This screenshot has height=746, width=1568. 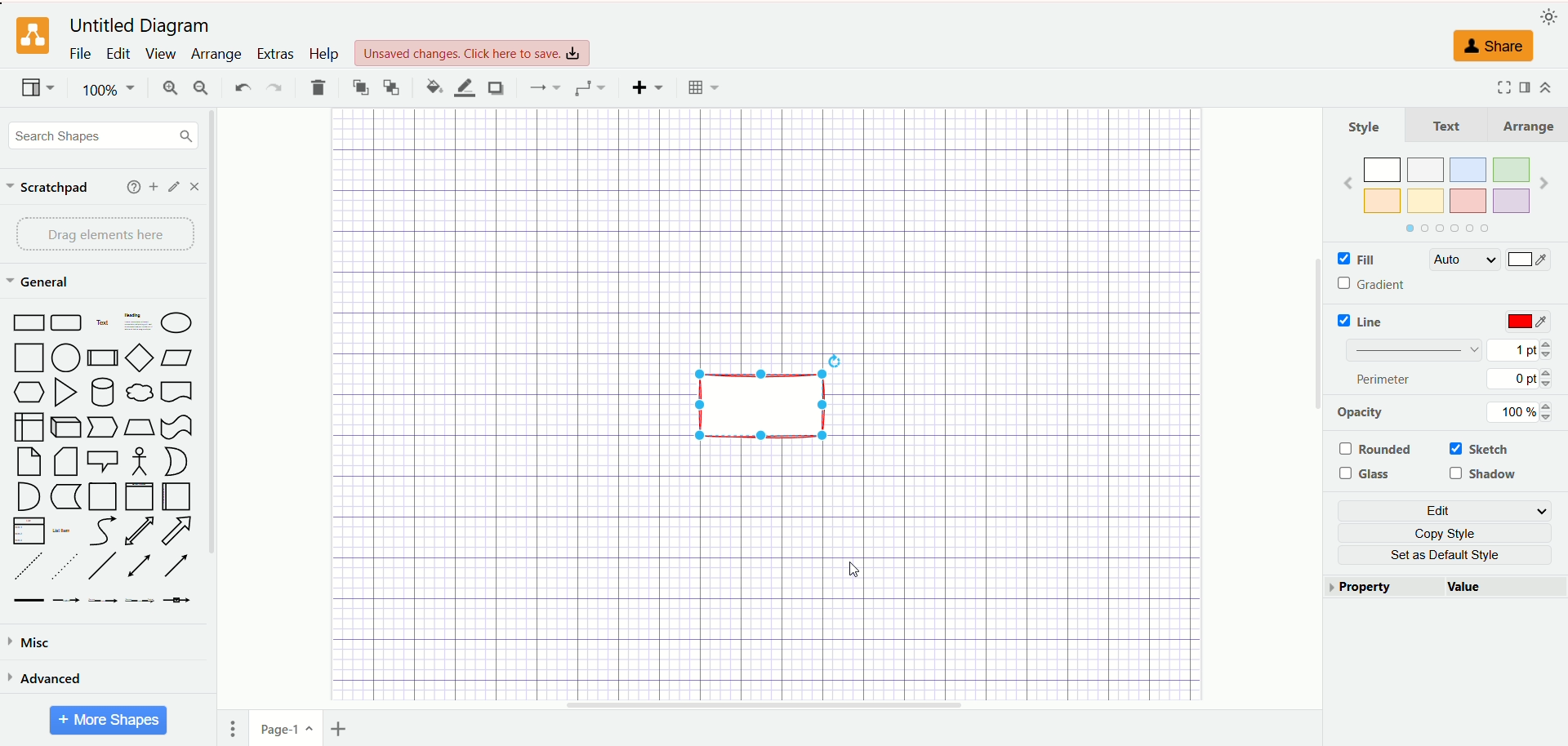 What do you see at coordinates (589, 87) in the screenshot?
I see `waypoint` at bounding box center [589, 87].